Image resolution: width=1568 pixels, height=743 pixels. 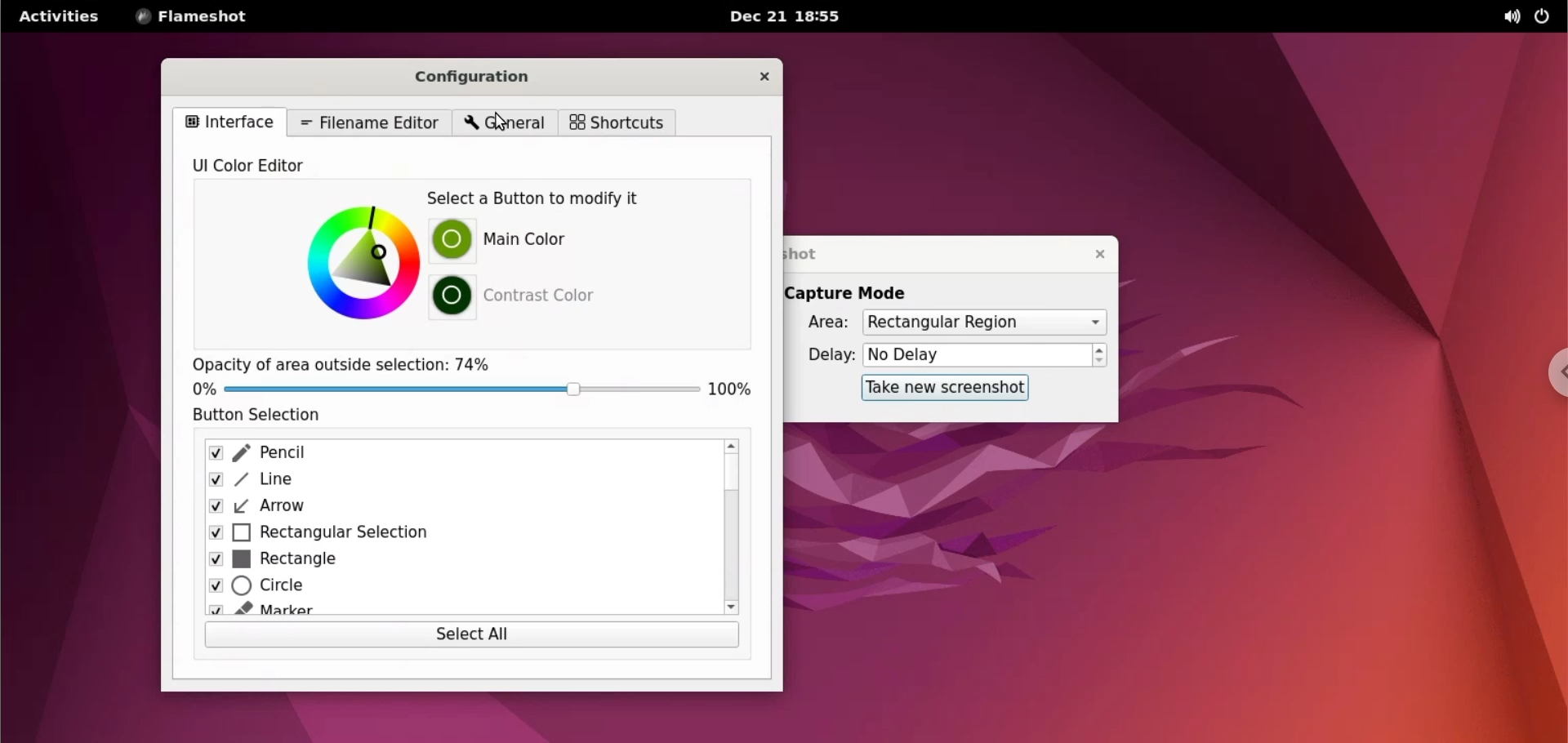 What do you see at coordinates (350, 365) in the screenshot?
I see `Opacity of area outside selection: 74%` at bounding box center [350, 365].